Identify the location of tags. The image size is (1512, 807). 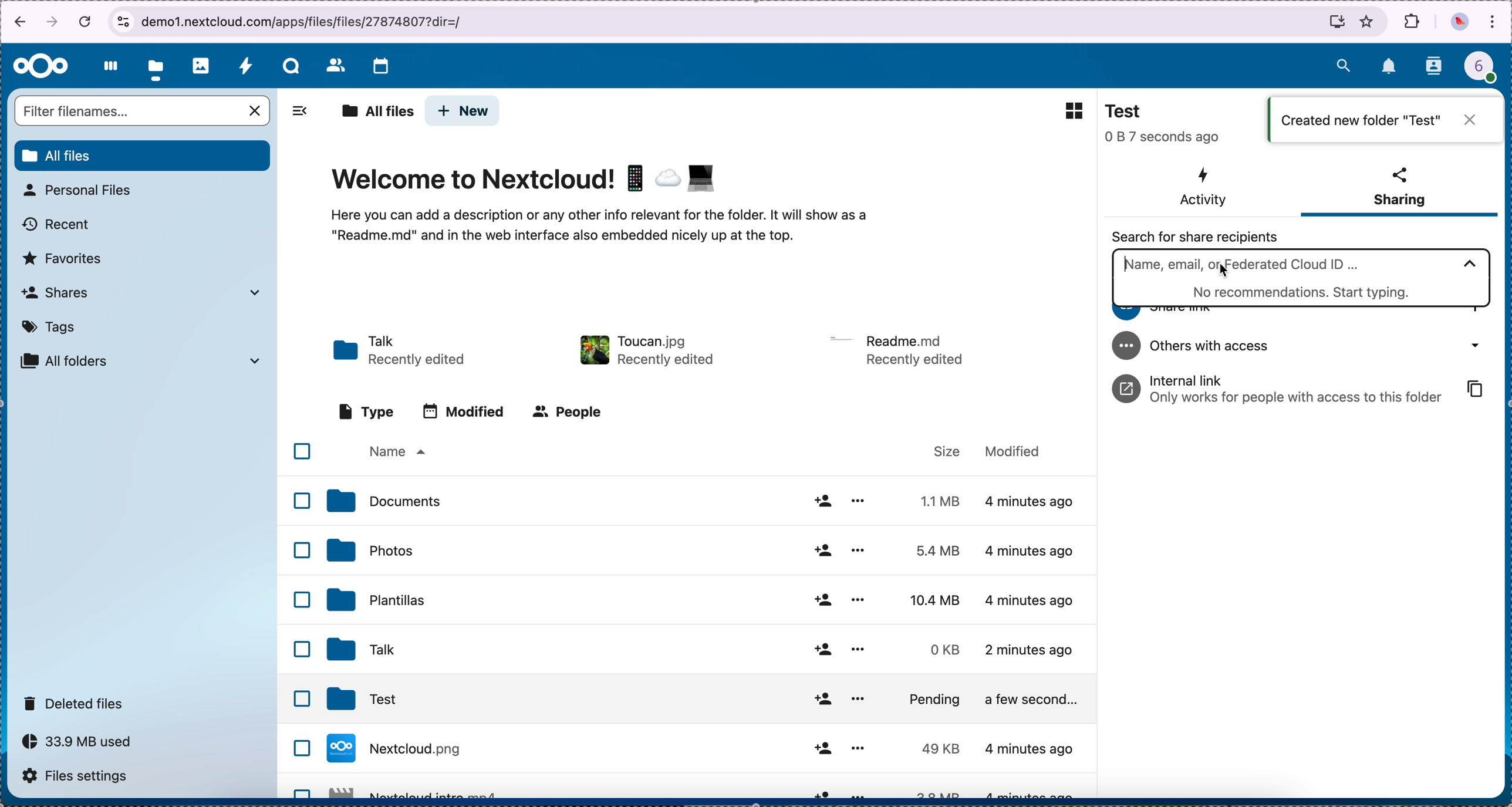
(50, 327).